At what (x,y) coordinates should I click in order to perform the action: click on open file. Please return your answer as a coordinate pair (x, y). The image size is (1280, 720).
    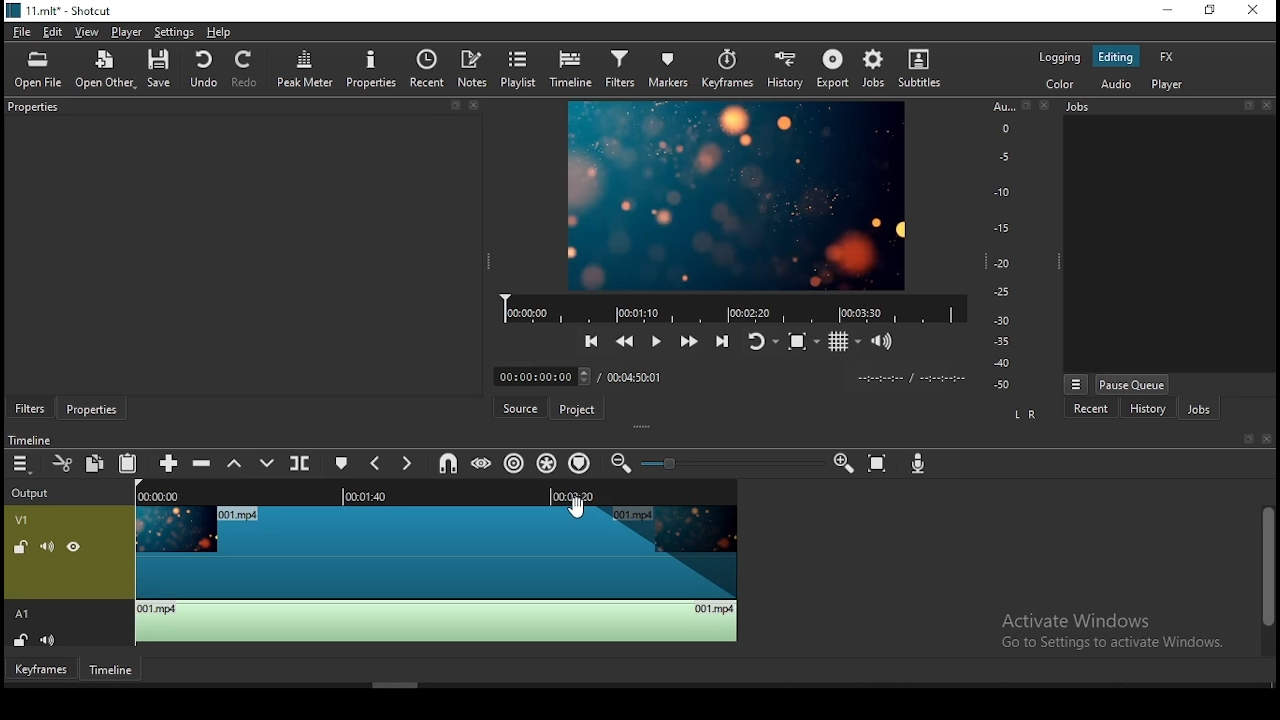
    Looking at the image, I should click on (39, 68).